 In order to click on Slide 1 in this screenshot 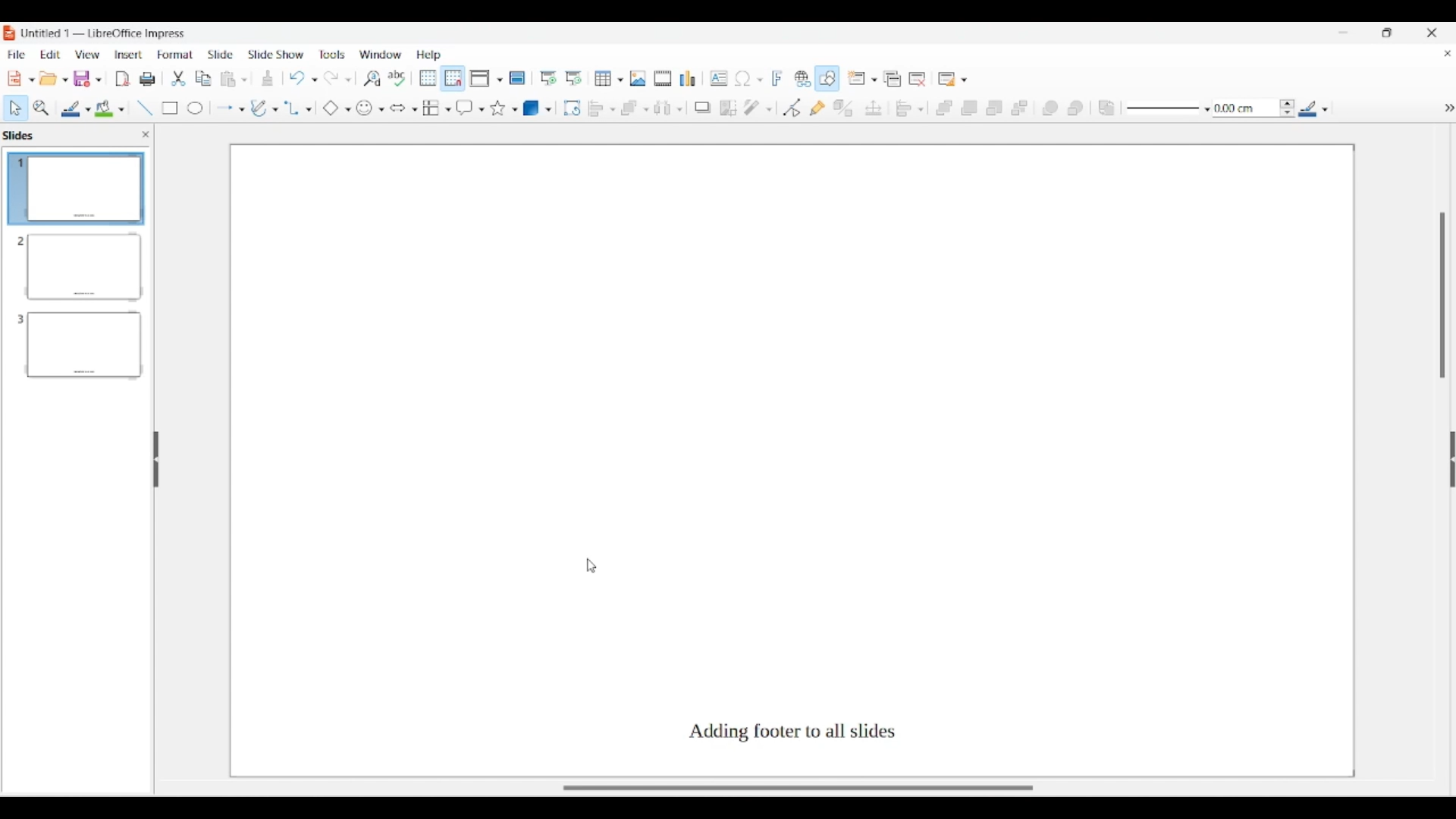, I will do `click(76, 190)`.